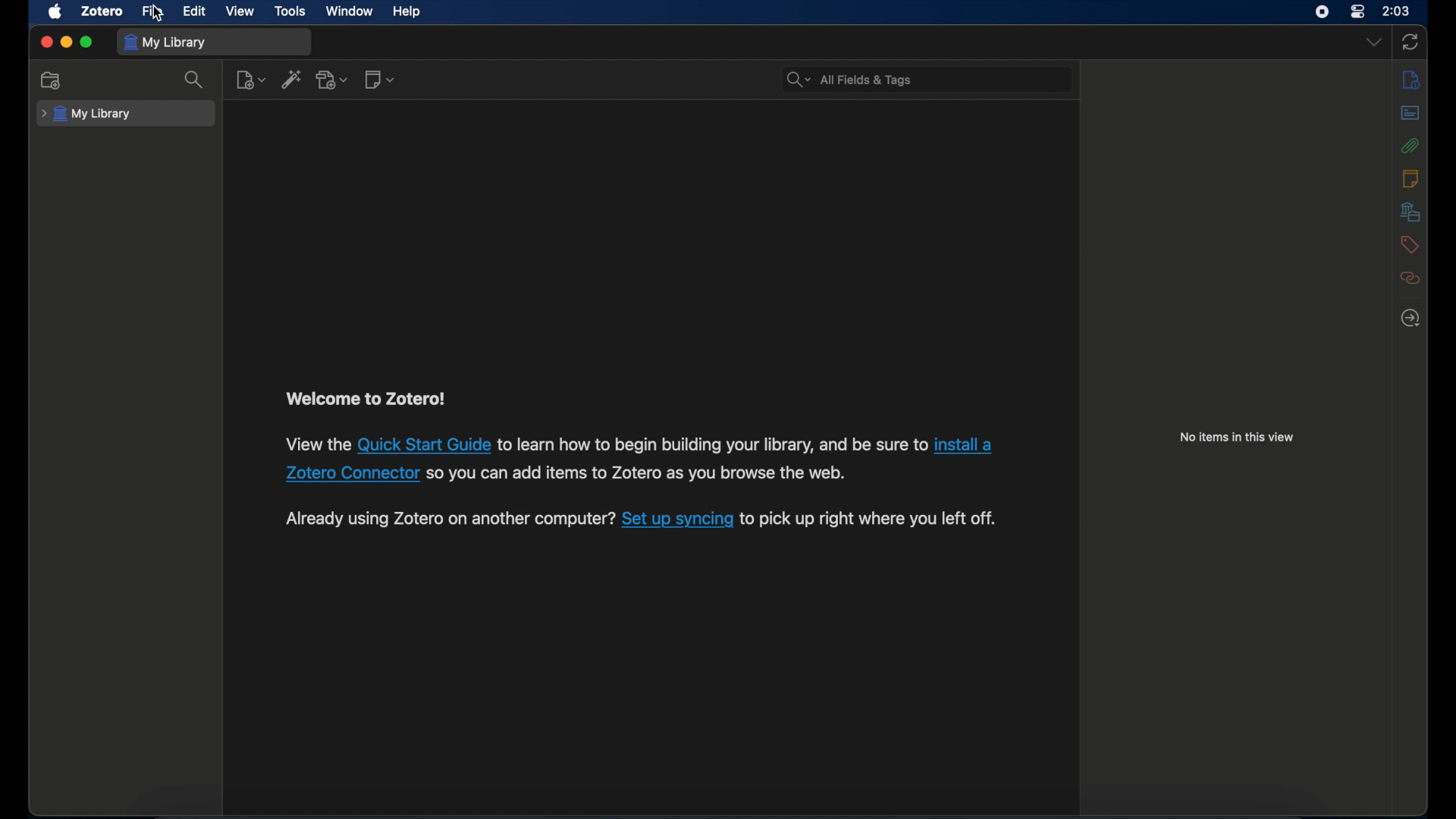  I want to click on link, so click(962, 446).